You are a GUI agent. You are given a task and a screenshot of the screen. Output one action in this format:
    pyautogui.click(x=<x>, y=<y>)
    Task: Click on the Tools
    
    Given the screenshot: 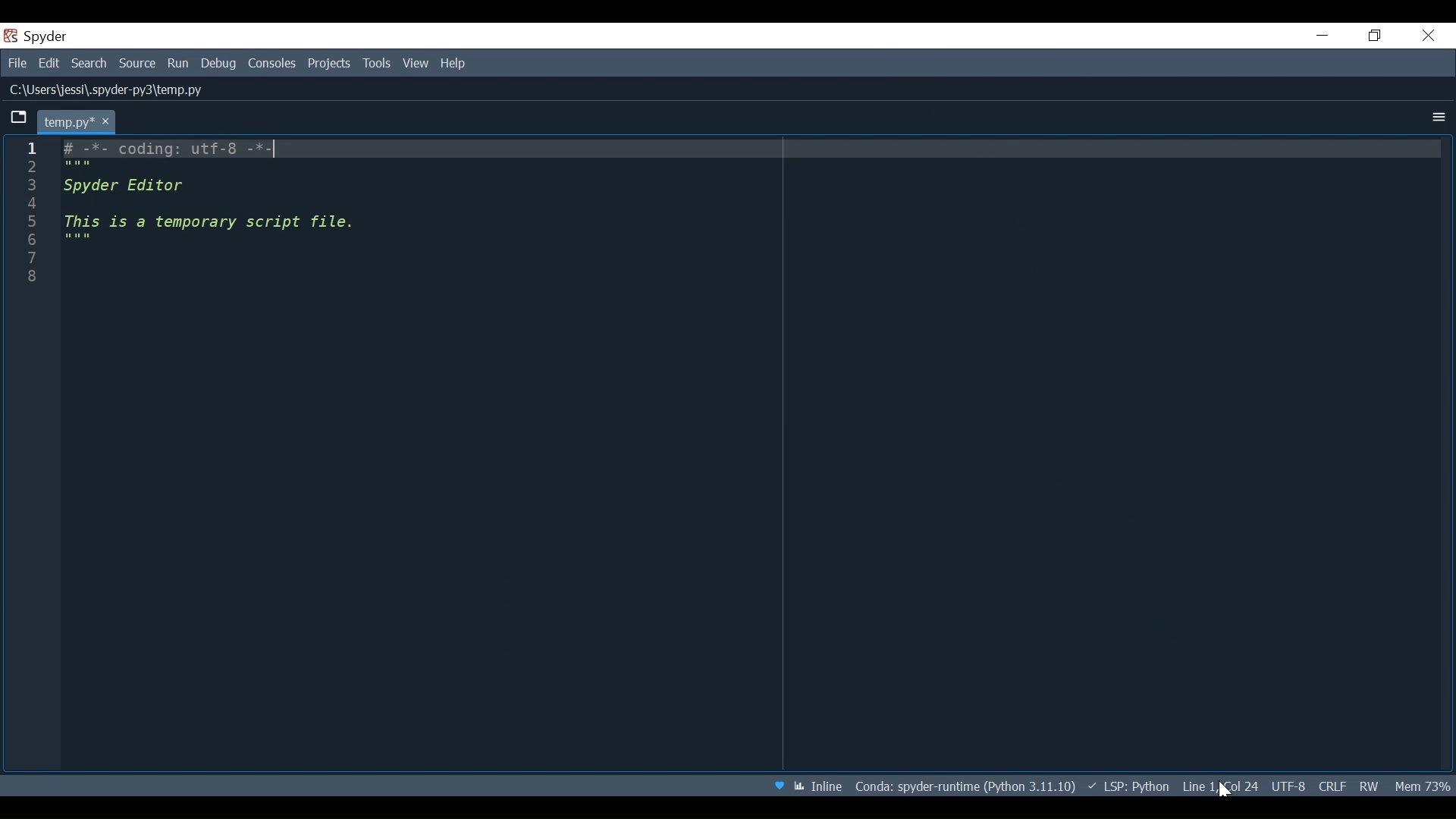 What is the action you would take?
    pyautogui.click(x=375, y=63)
    